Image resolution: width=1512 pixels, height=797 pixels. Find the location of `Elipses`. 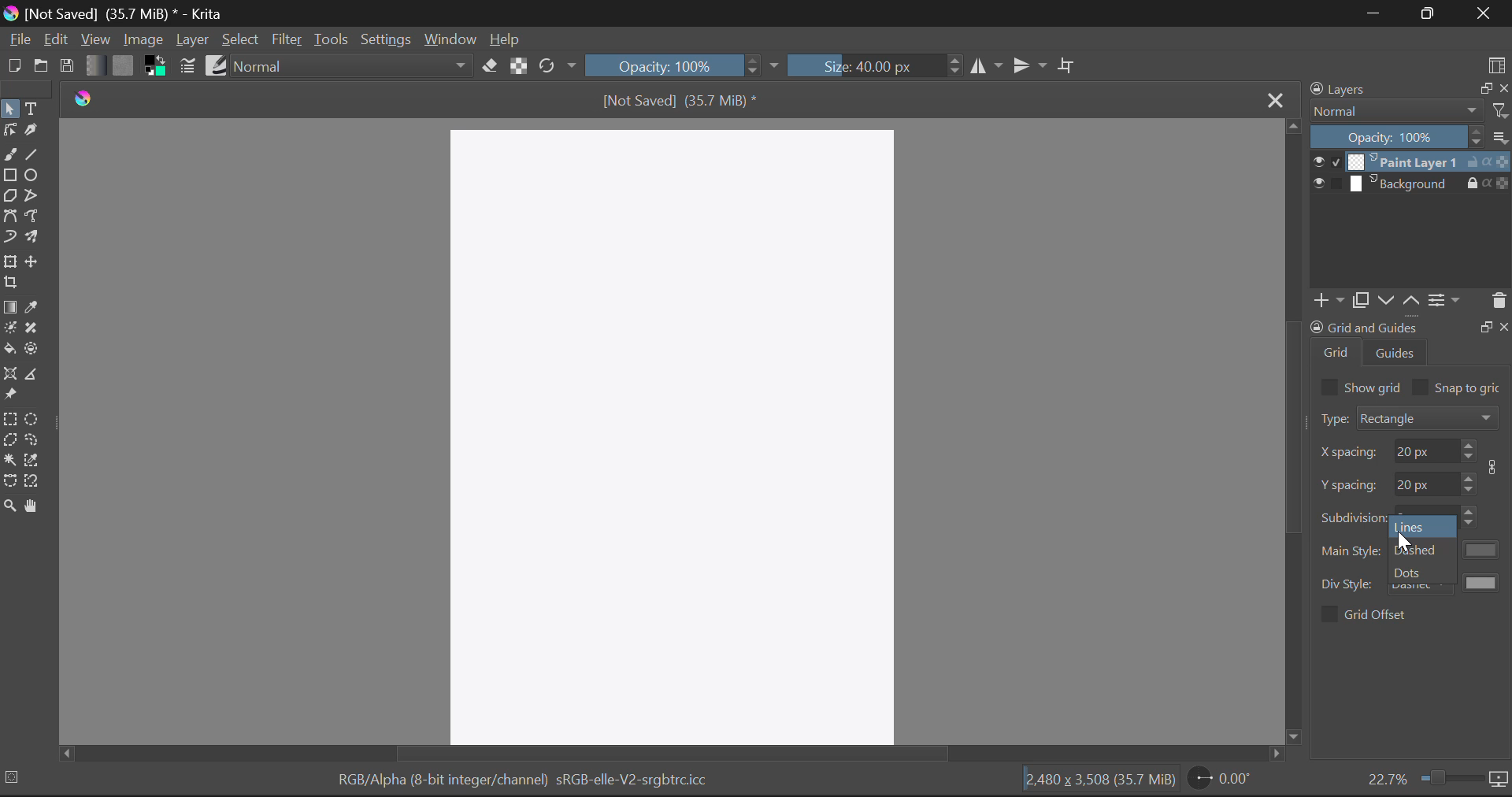

Elipses is located at coordinates (32, 175).